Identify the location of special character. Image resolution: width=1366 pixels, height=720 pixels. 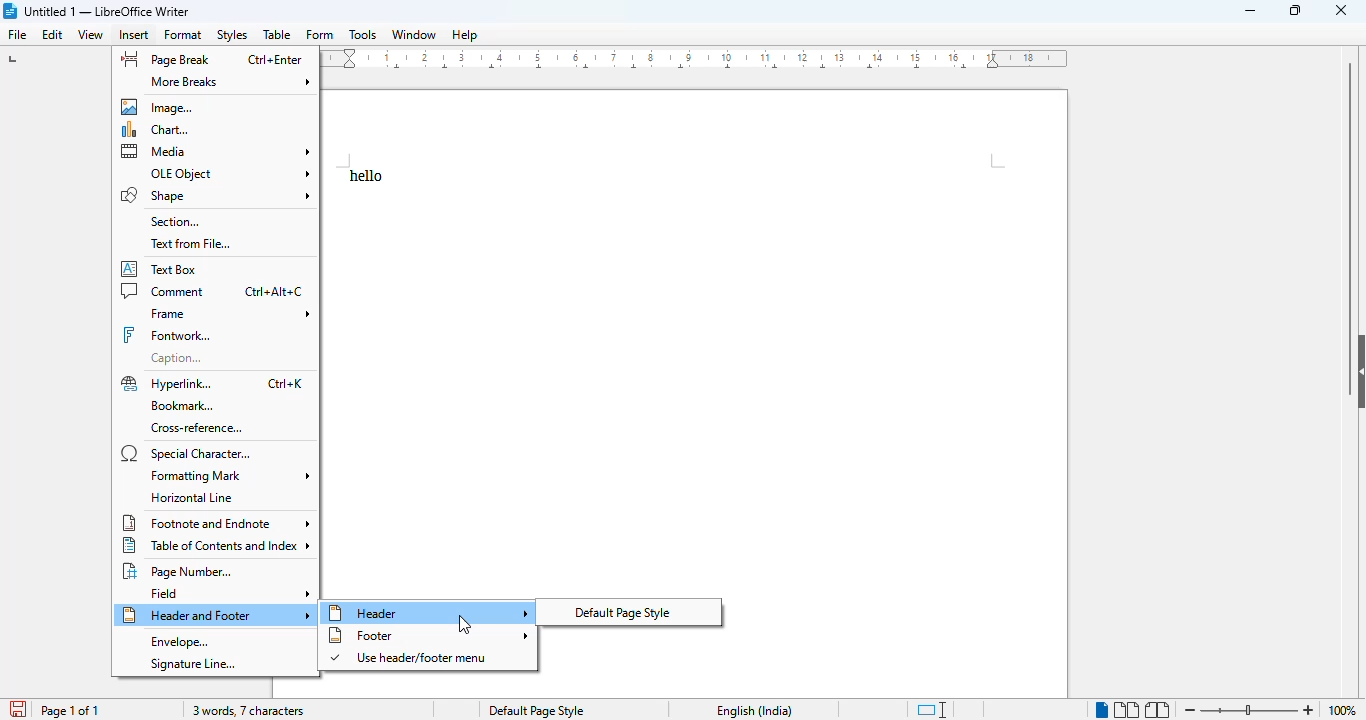
(188, 453).